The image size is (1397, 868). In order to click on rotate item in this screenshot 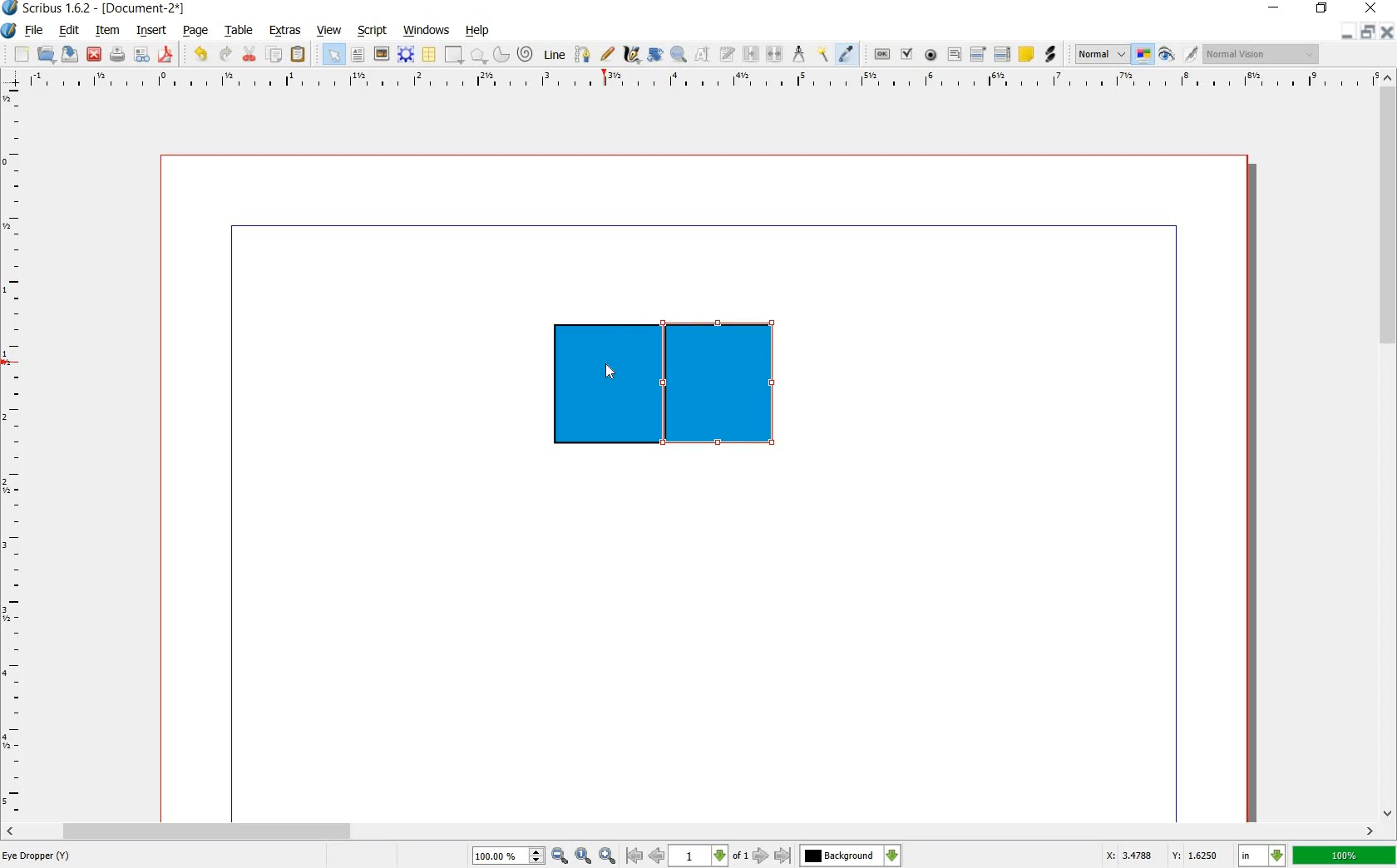, I will do `click(655, 56)`.